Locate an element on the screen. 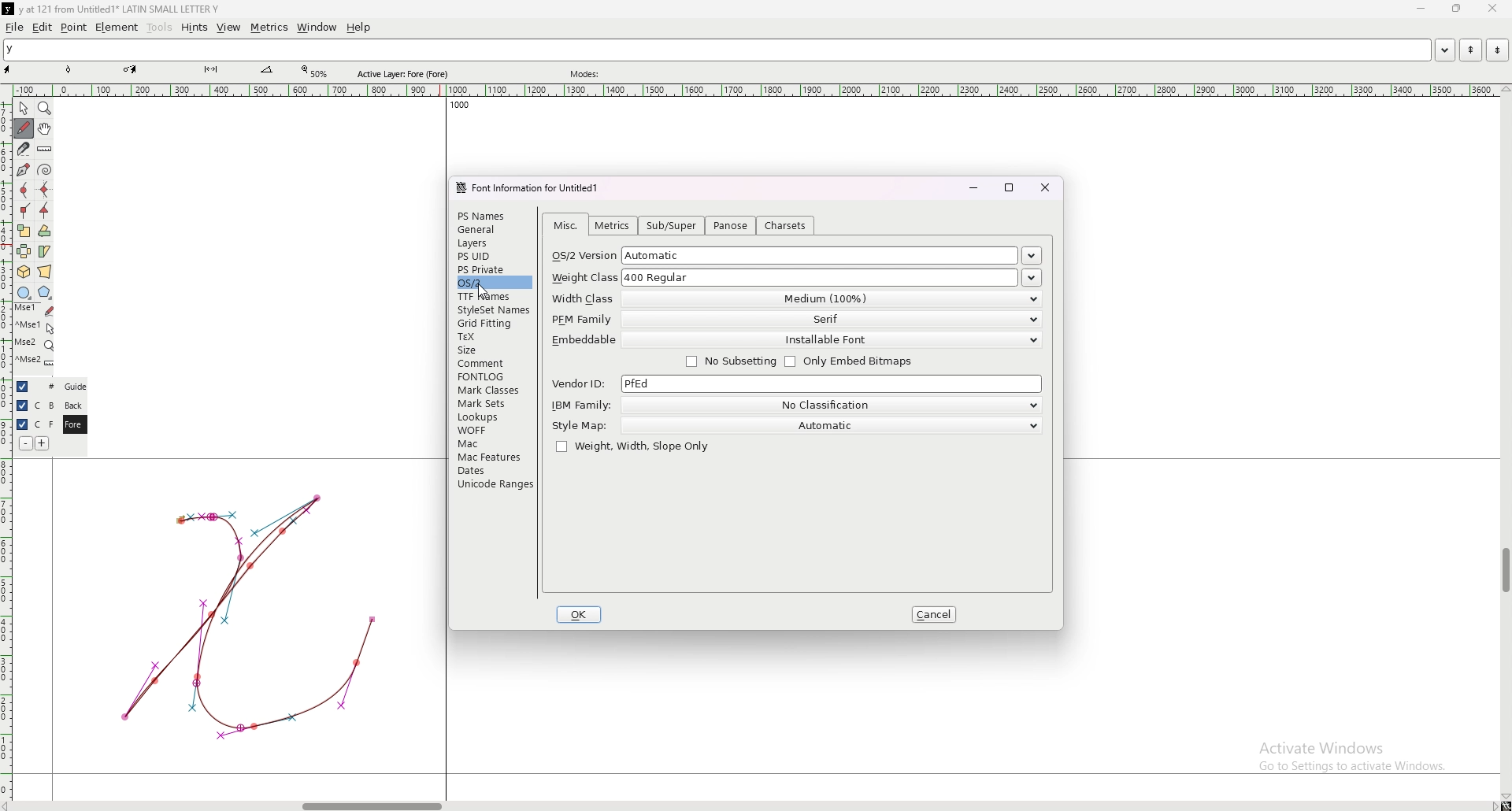 This screenshot has height=811, width=1512. charsets is located at coordinates (786, 225).